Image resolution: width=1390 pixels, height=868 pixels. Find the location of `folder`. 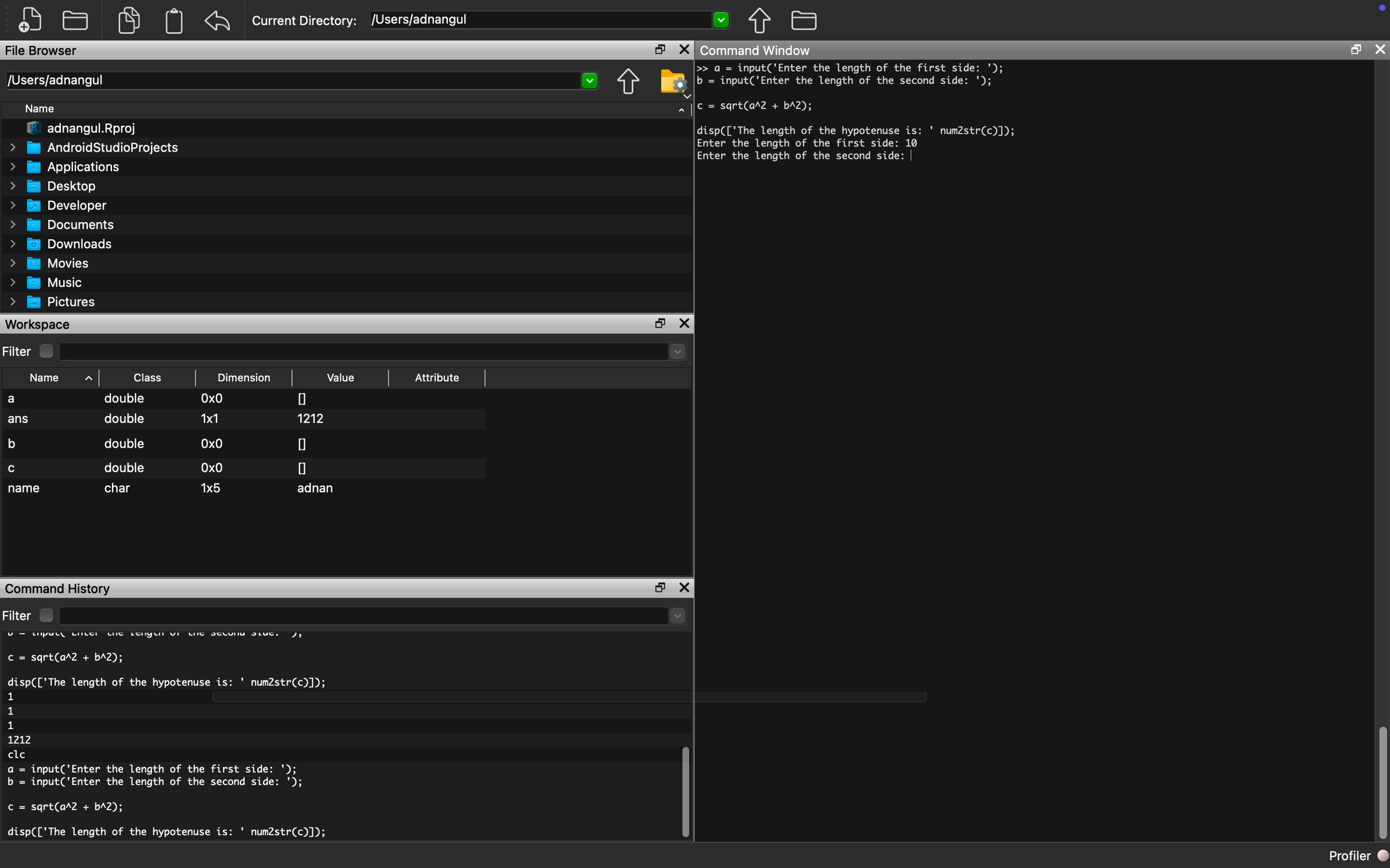

folder is located at coordinates (804, 19).